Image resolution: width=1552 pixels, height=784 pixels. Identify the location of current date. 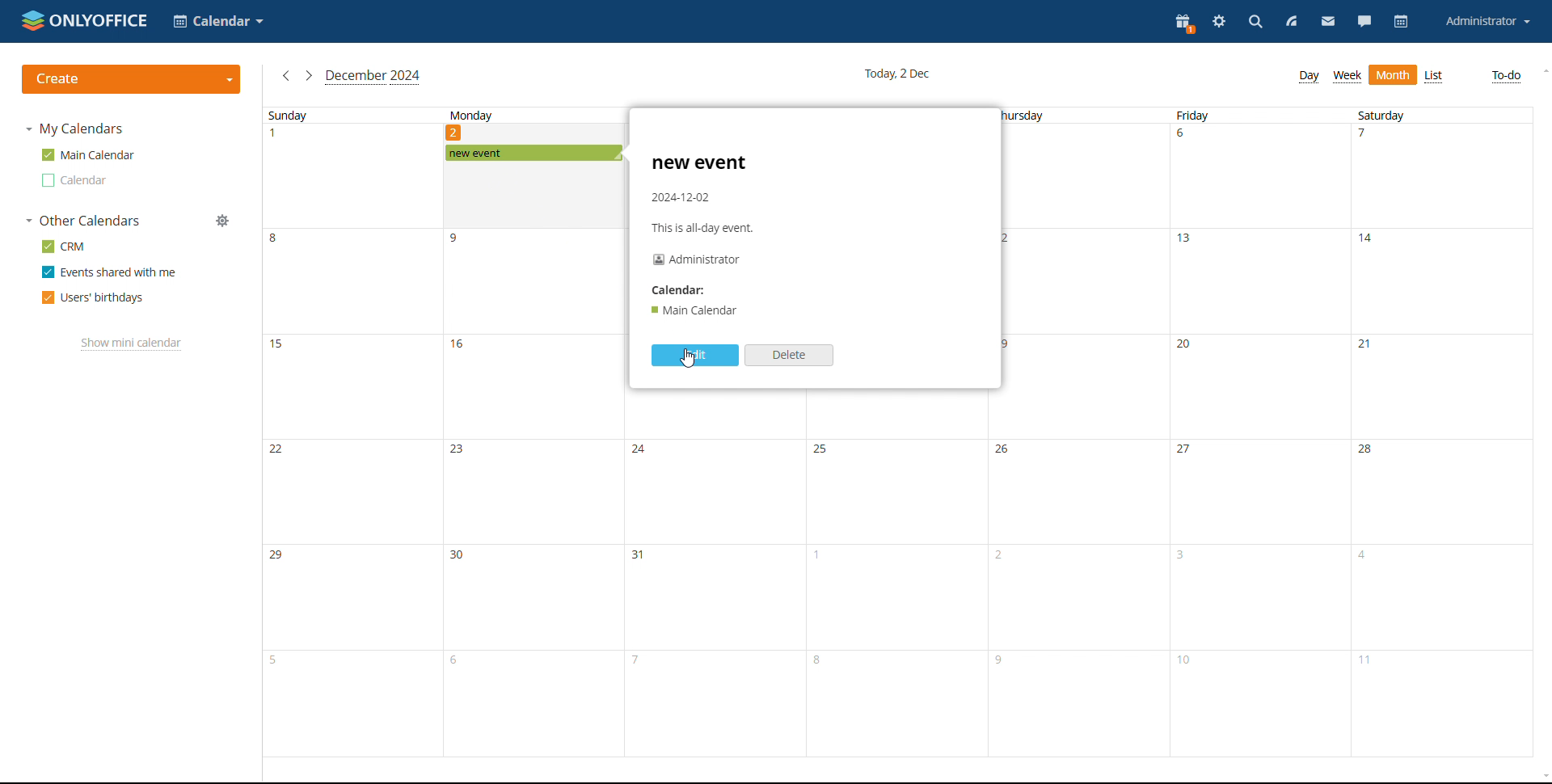
(897, 74).